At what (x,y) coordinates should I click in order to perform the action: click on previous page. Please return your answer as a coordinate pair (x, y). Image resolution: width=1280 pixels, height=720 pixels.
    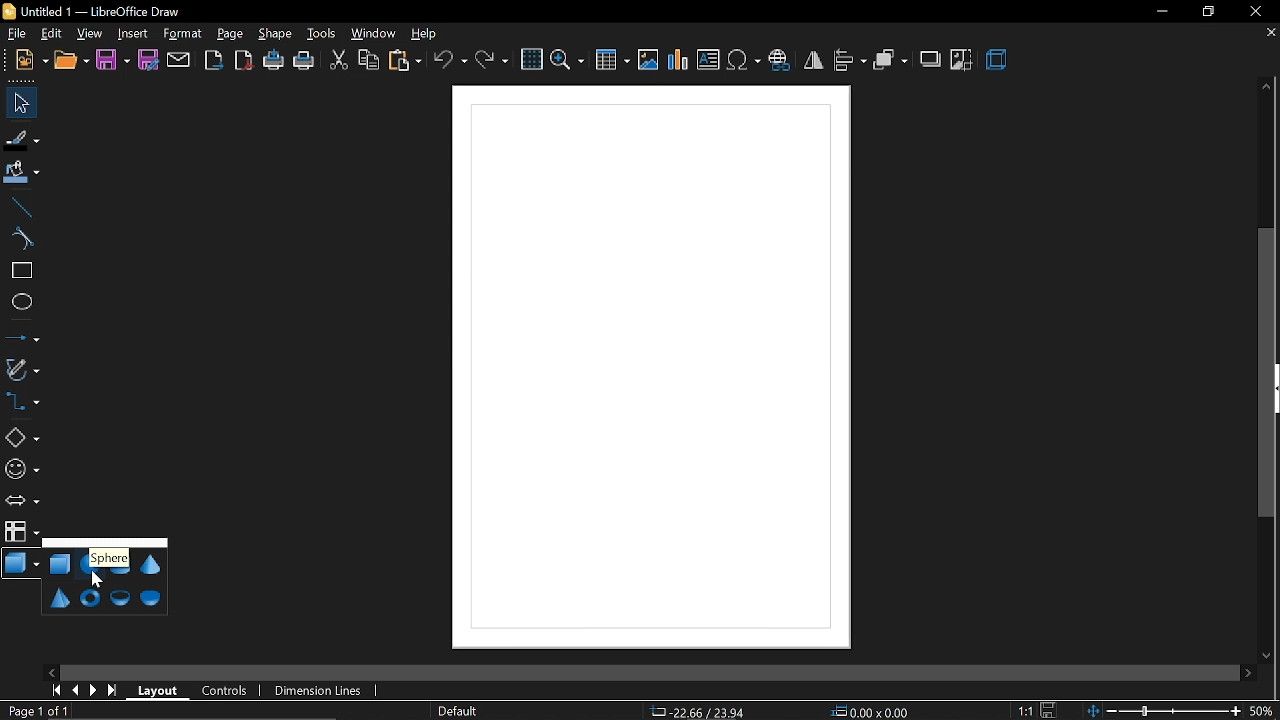
    Looking at the image, I should click on (77, 690).